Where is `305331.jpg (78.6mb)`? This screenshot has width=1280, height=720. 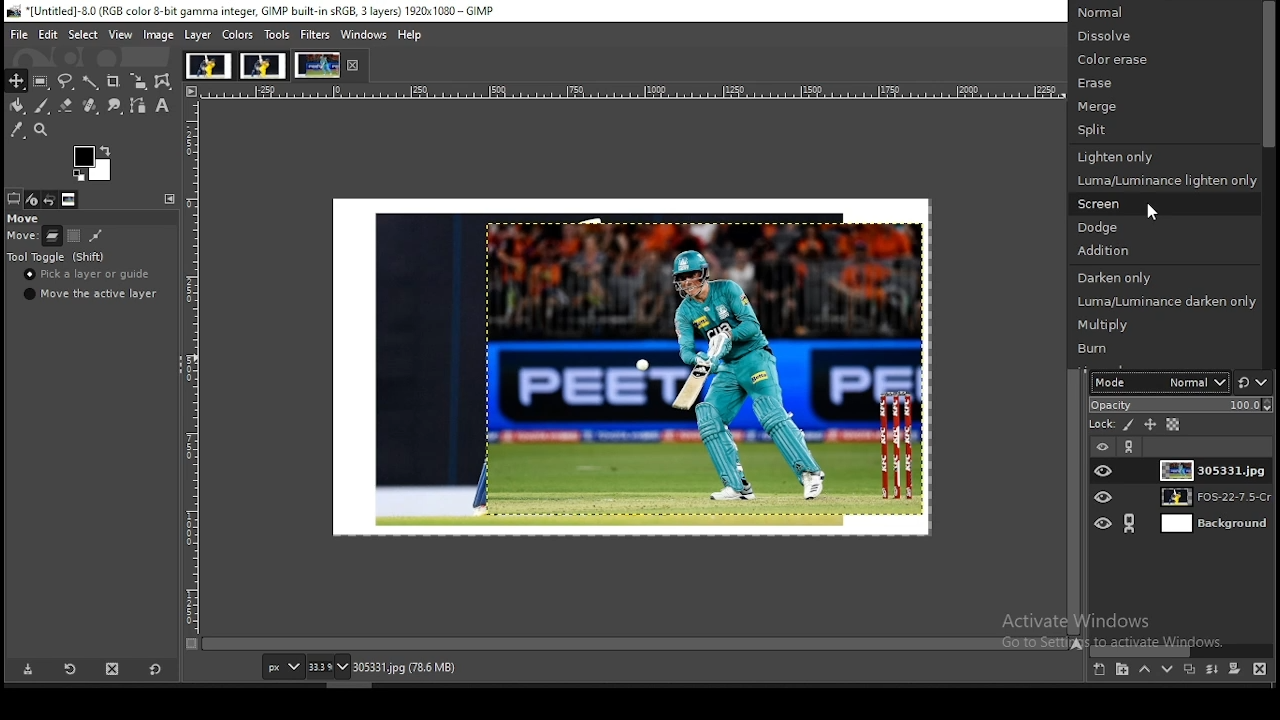 305331.jpg (78.6mb) is located at coordinates (404, 667).